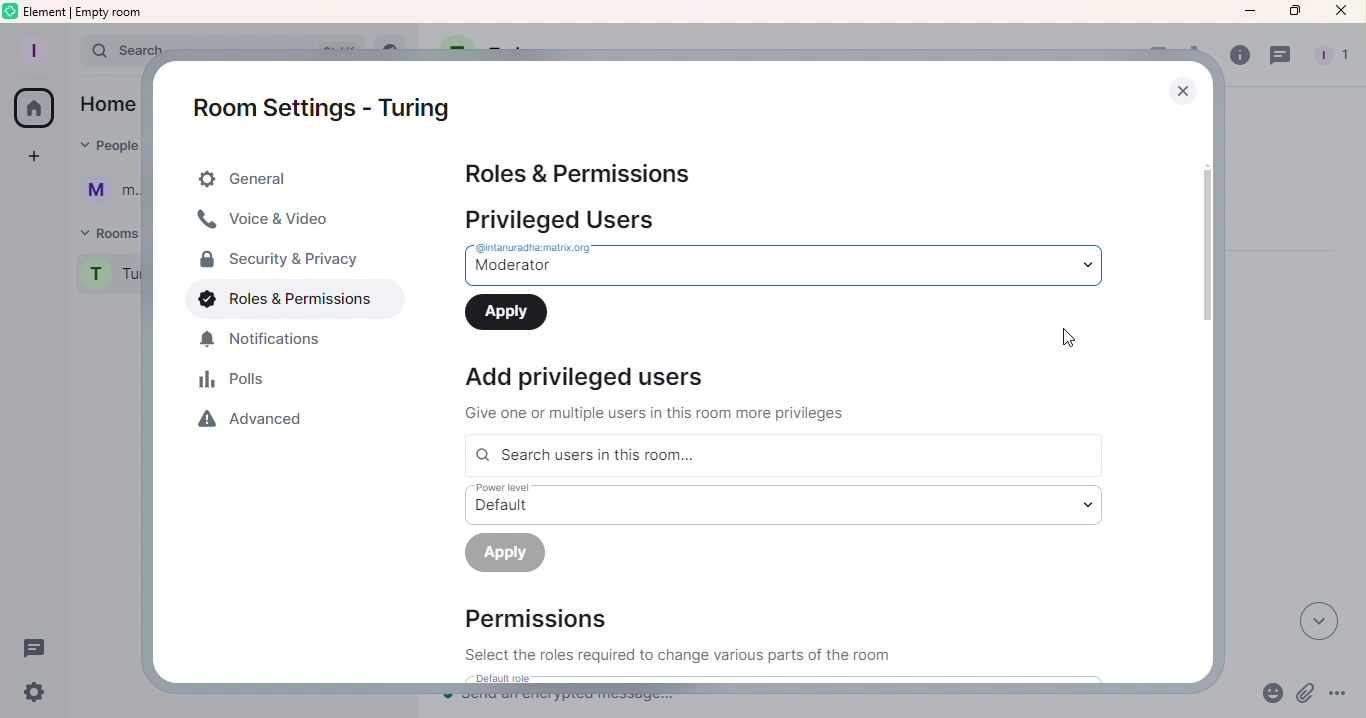  What do you see at coordinates (1303, 696) in the screenshot?
I see `Attachment` at bounding box center [1303, 696].